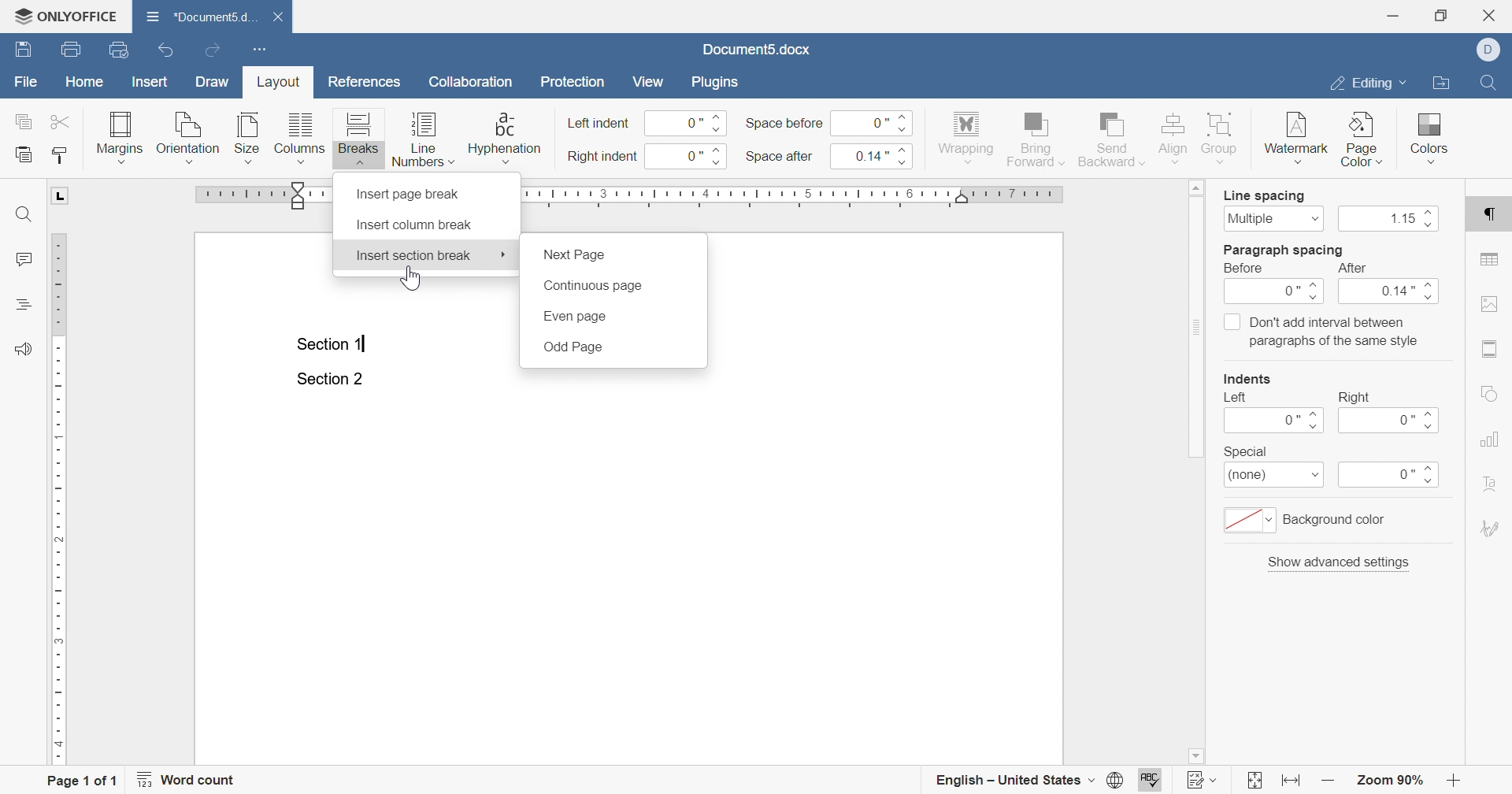  Describe the element at coordinates (213, 81) in the screenshot. I see `draw` at that location.